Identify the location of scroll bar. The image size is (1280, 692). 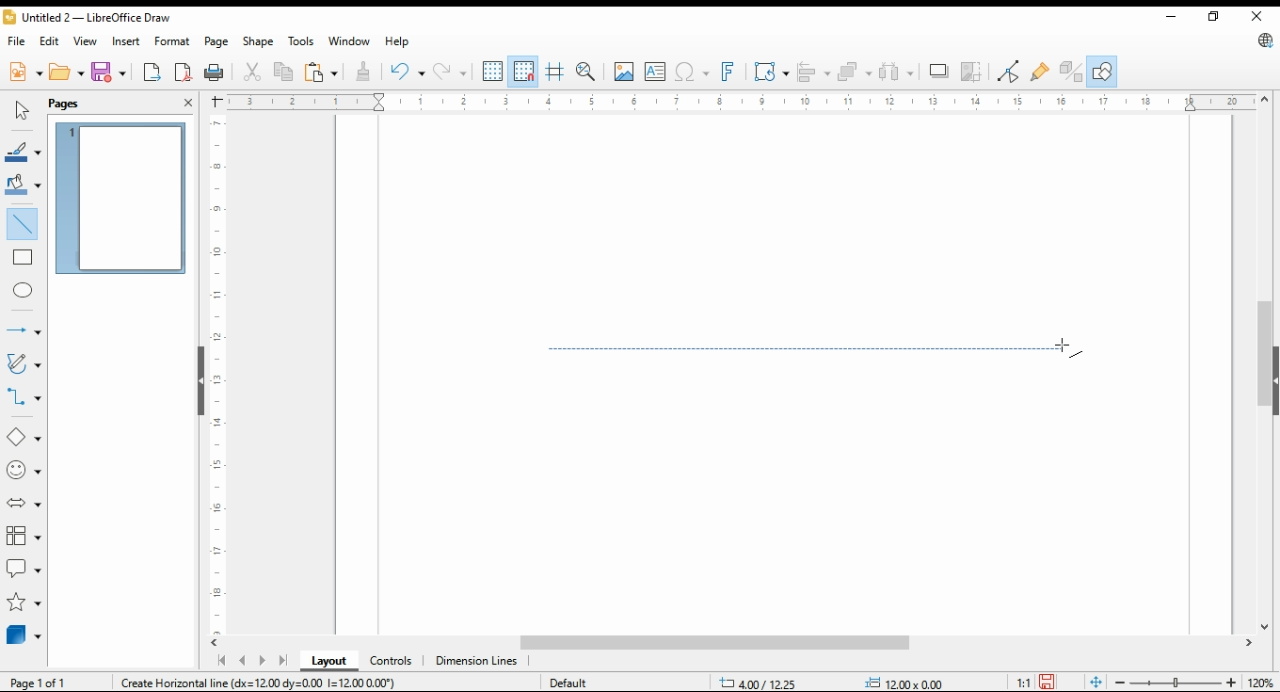
(740, 644).